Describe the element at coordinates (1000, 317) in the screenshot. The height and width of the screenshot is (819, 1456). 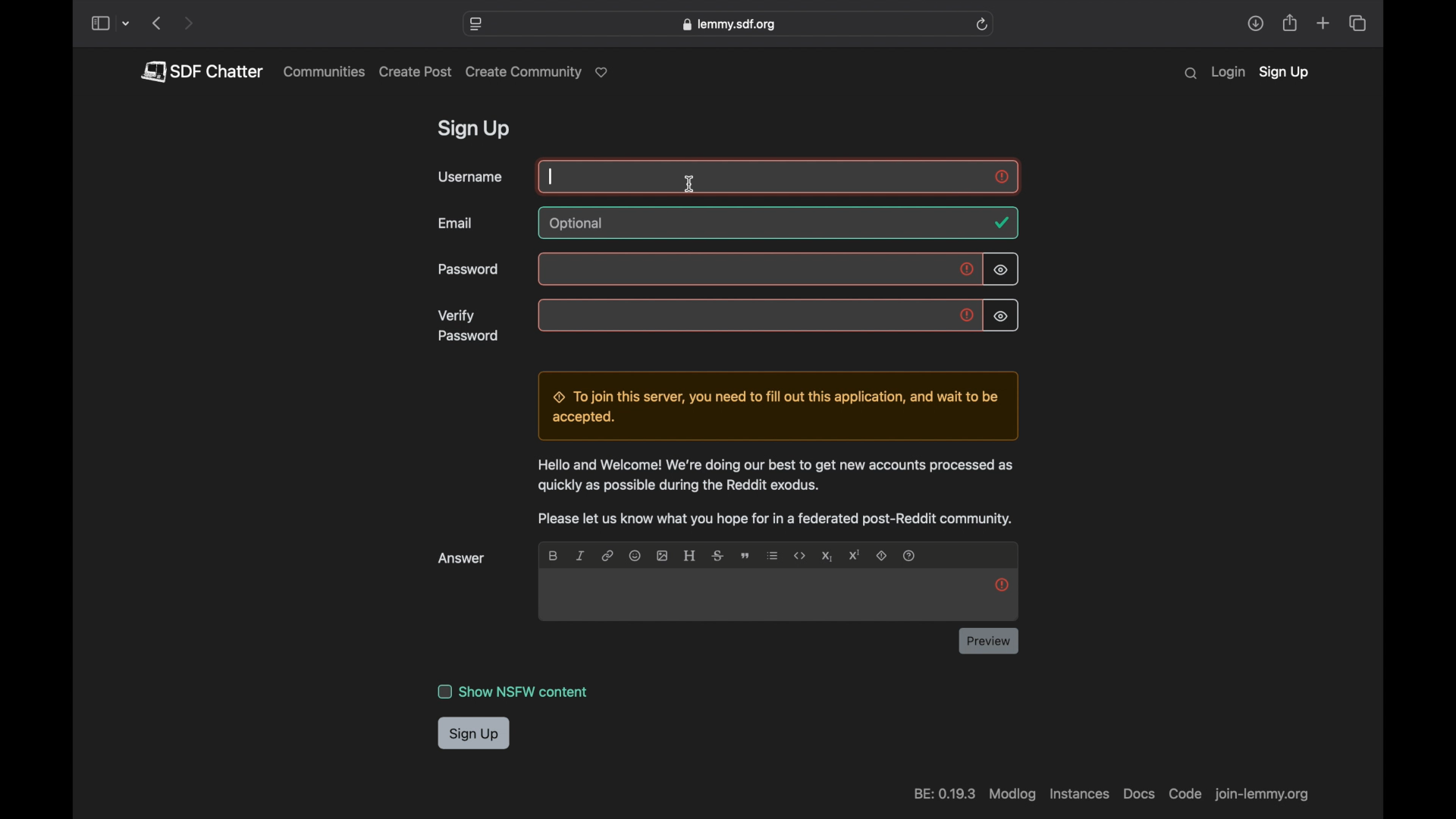
I see `visibility ` at that location.